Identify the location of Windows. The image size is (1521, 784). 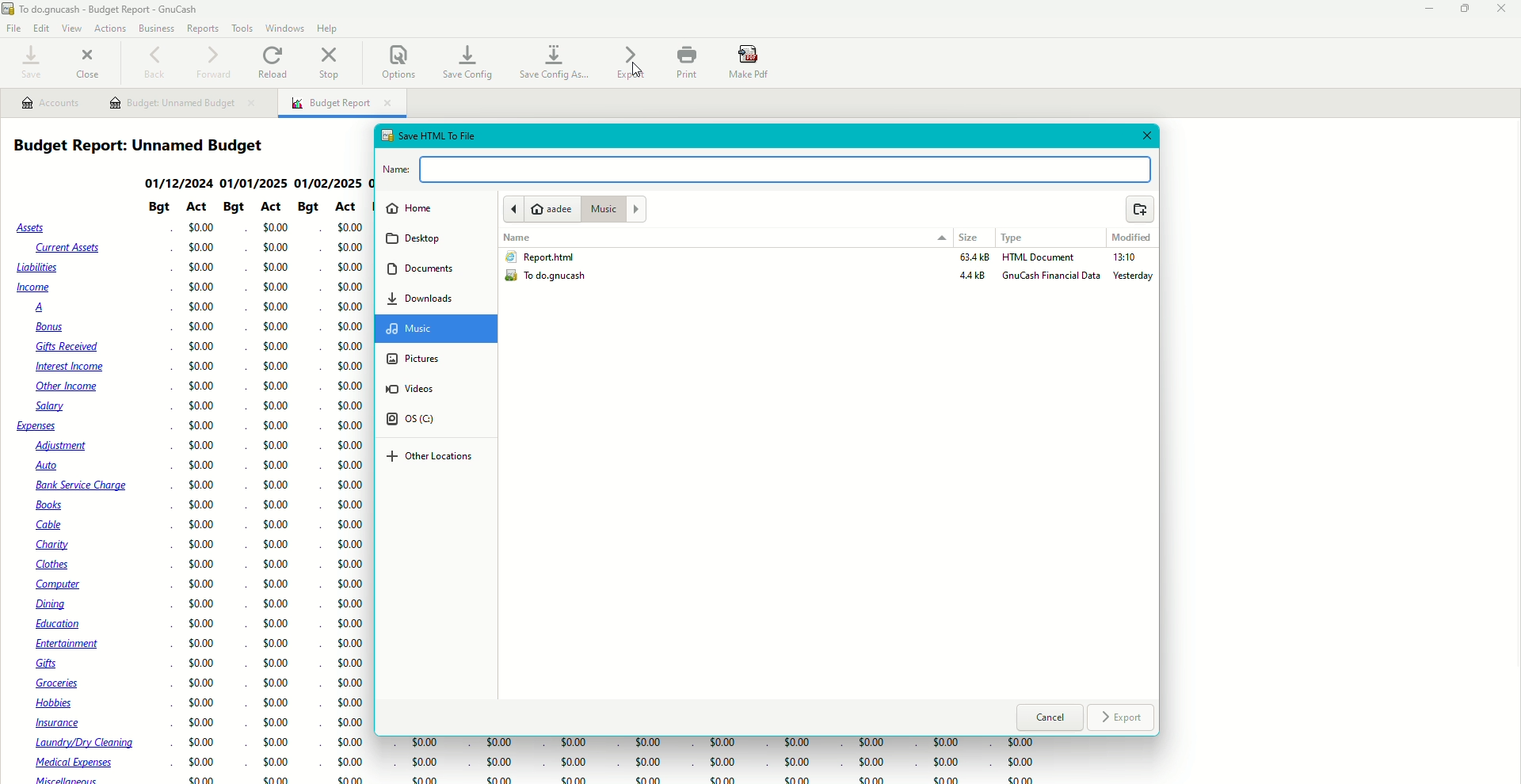
(287, 28).